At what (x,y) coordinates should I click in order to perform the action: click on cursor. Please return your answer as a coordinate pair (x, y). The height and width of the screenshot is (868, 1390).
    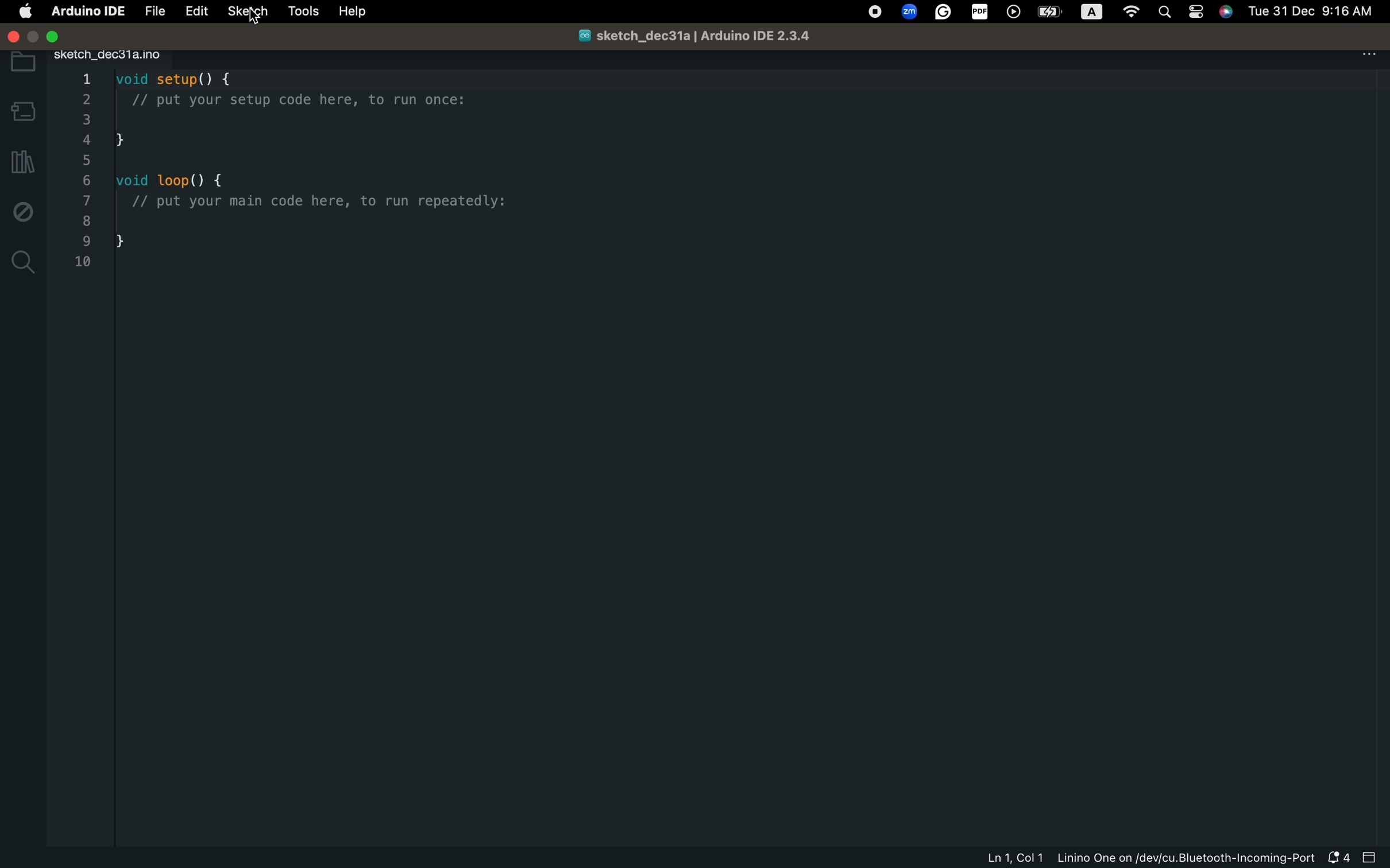
    Looking at the image, I should click on (255, 15).